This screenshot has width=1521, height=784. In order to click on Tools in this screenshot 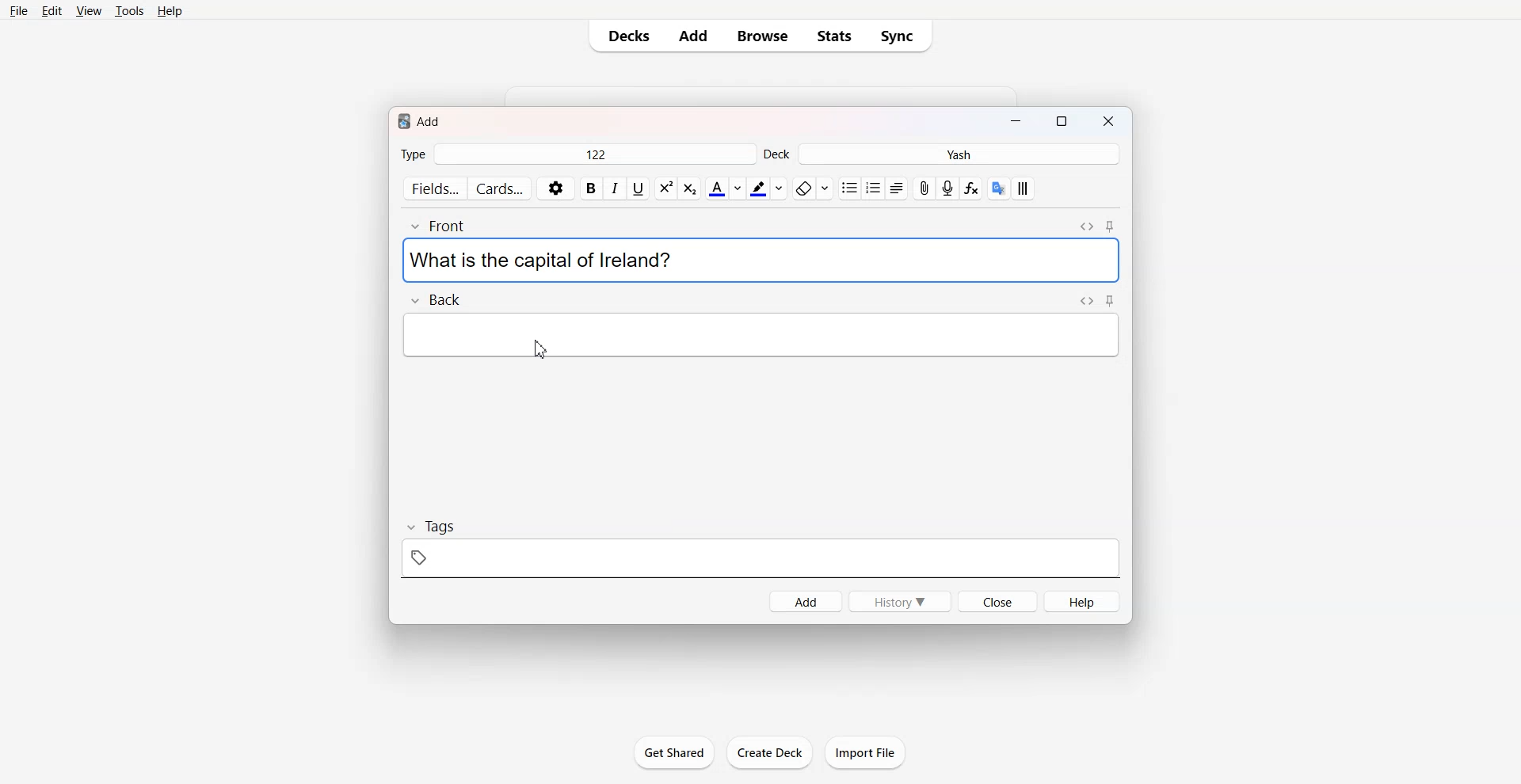, I will do `click(129, 12)`.